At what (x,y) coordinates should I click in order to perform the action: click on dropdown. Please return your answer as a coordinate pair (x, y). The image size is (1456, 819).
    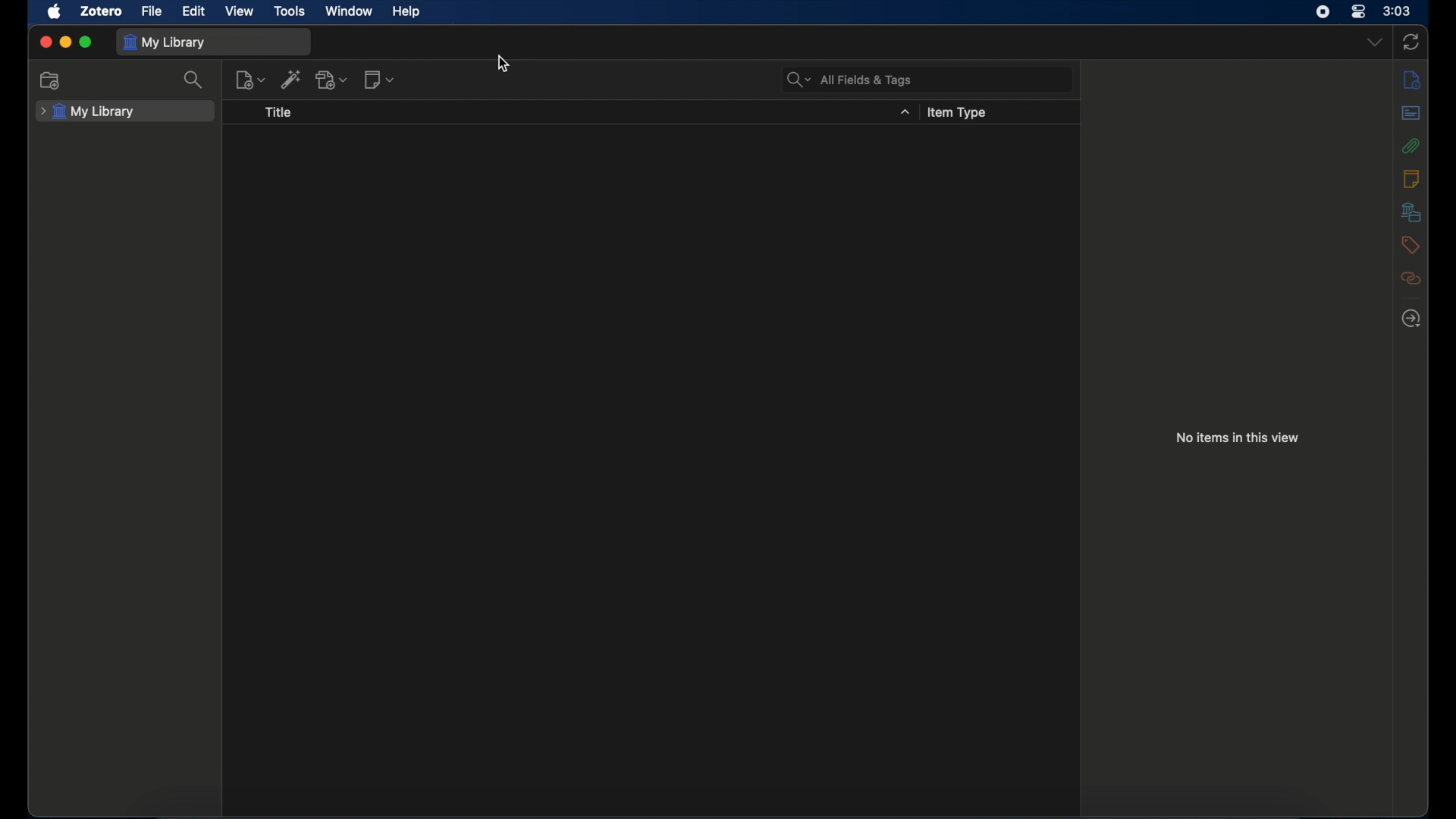
    Looking at the image, I should click on (1374, 42).